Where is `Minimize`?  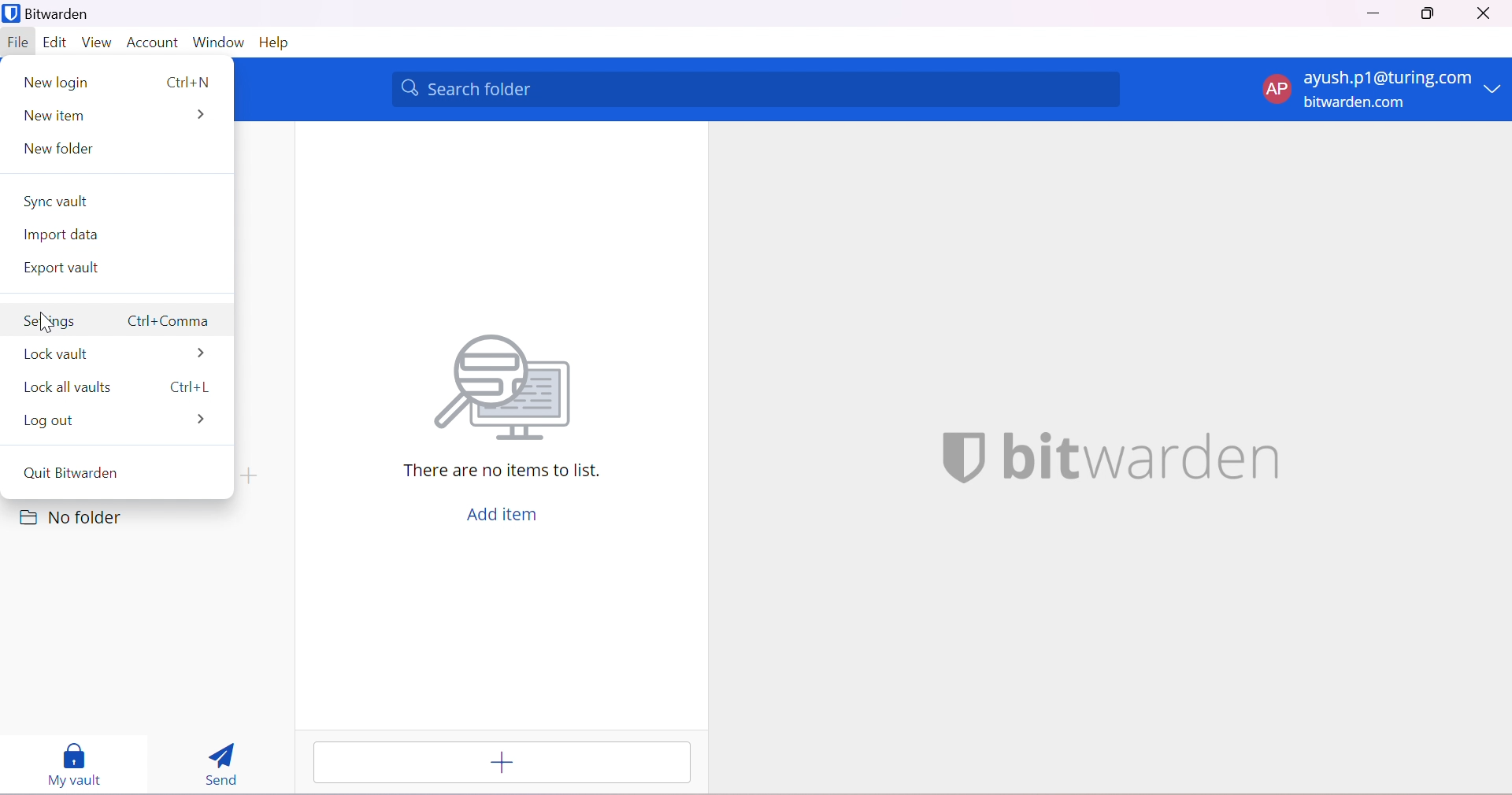 Minimize is located at coordinates (1373, 12).